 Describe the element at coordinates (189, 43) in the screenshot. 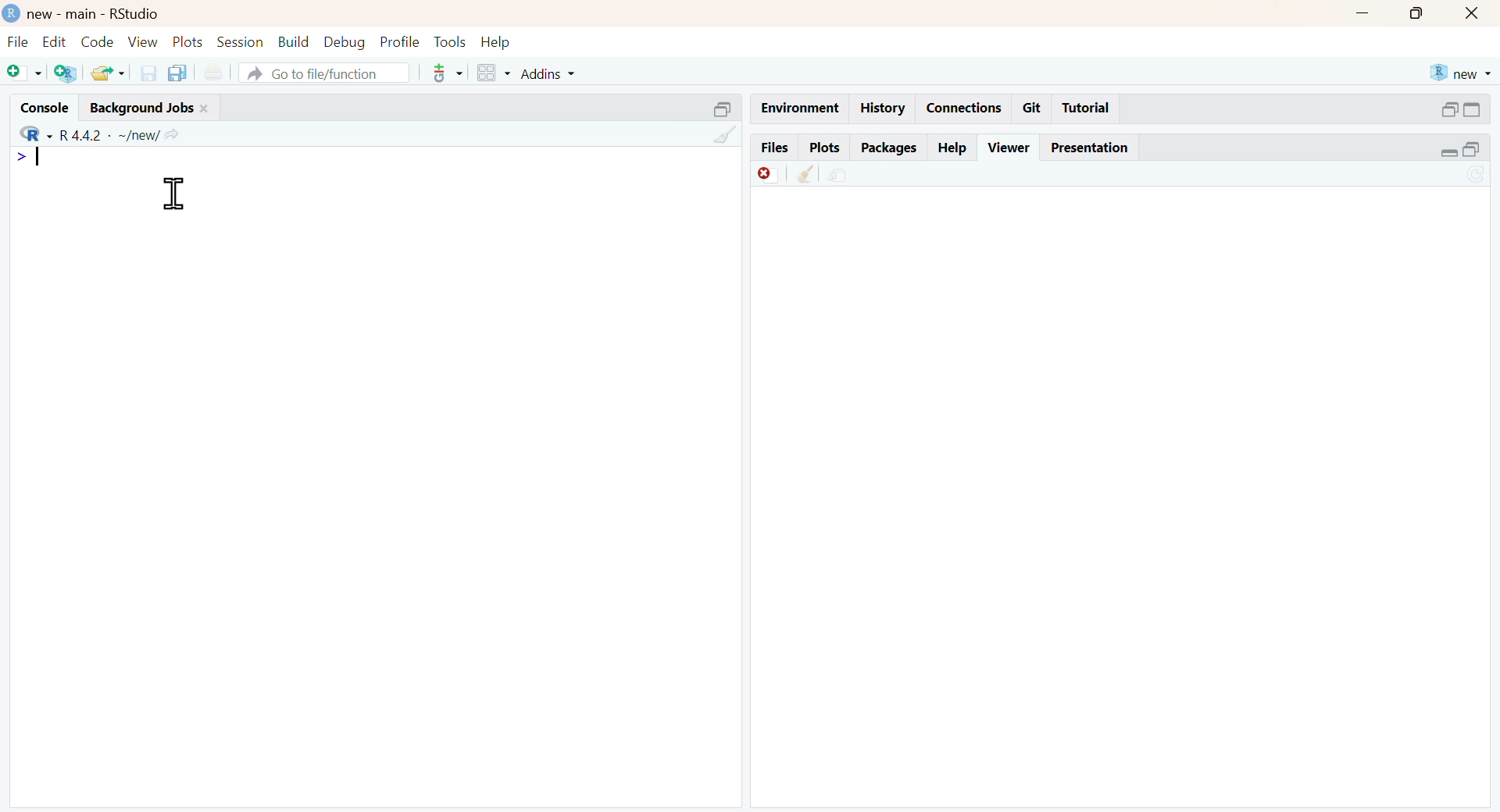

I see `plots` at that location.